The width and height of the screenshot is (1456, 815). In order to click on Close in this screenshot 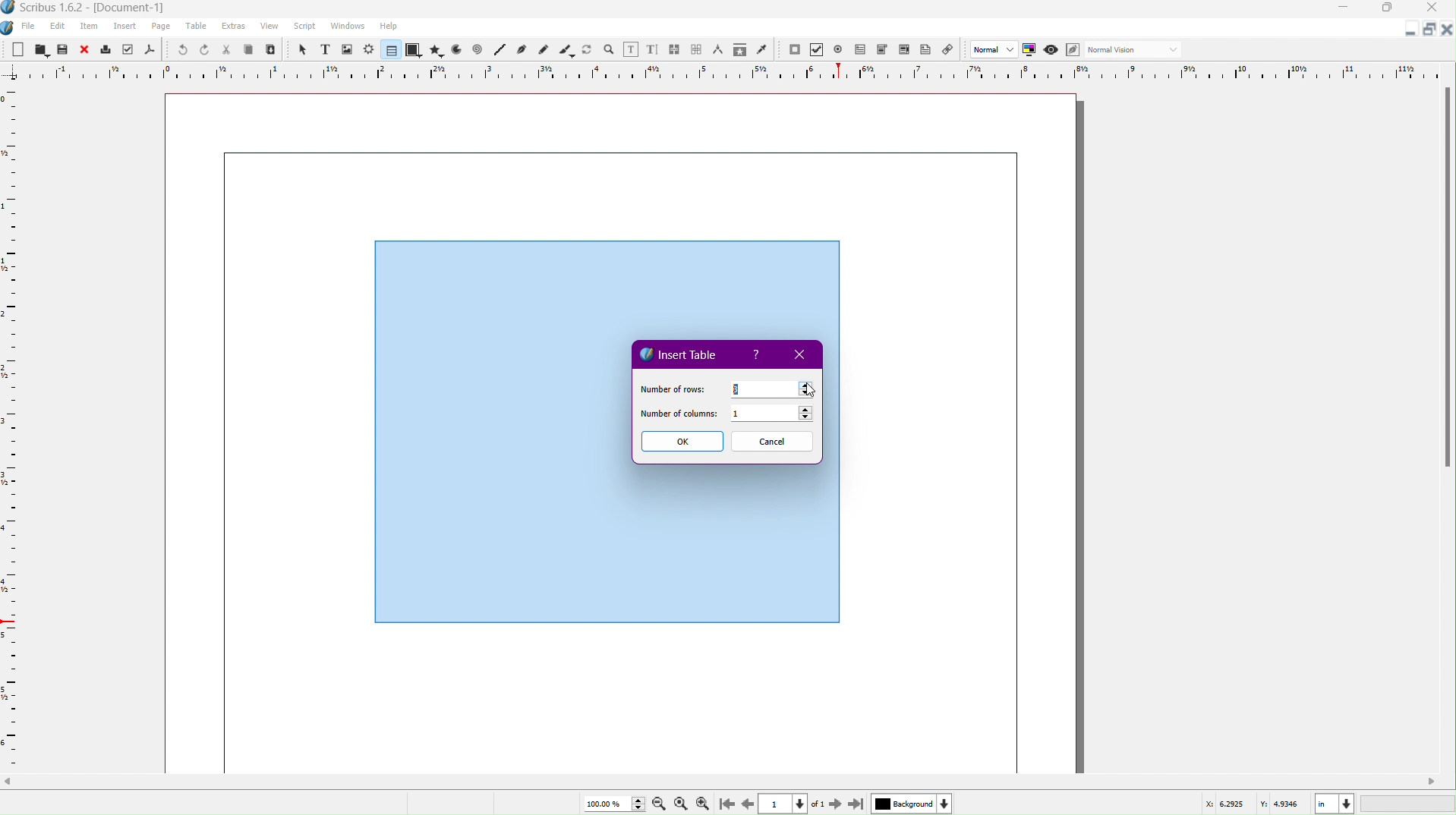, I will do `click(1447, 30)`.